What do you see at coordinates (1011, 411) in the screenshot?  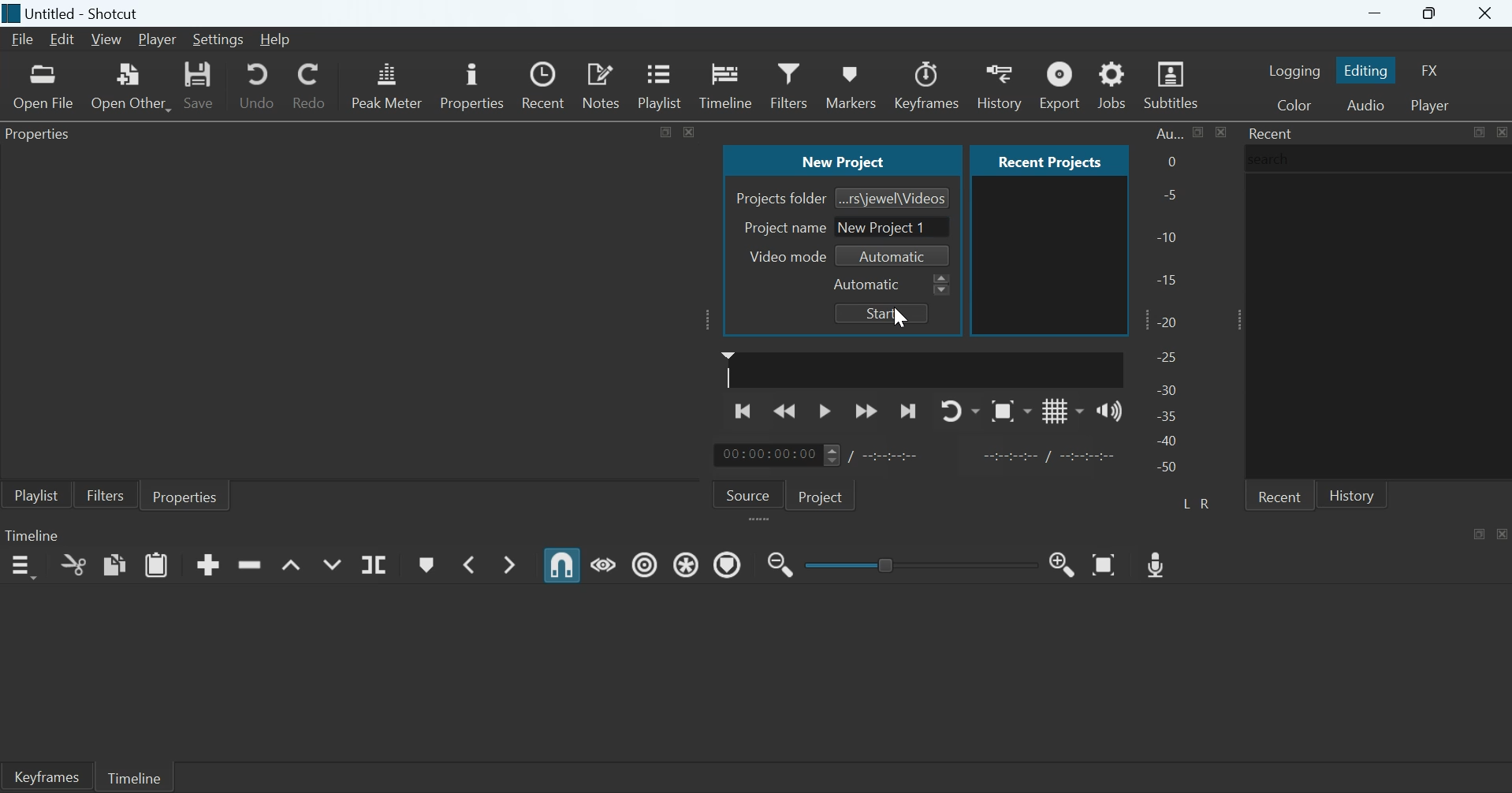 I see `toggle zoom` at bounding box center [1011, 411].